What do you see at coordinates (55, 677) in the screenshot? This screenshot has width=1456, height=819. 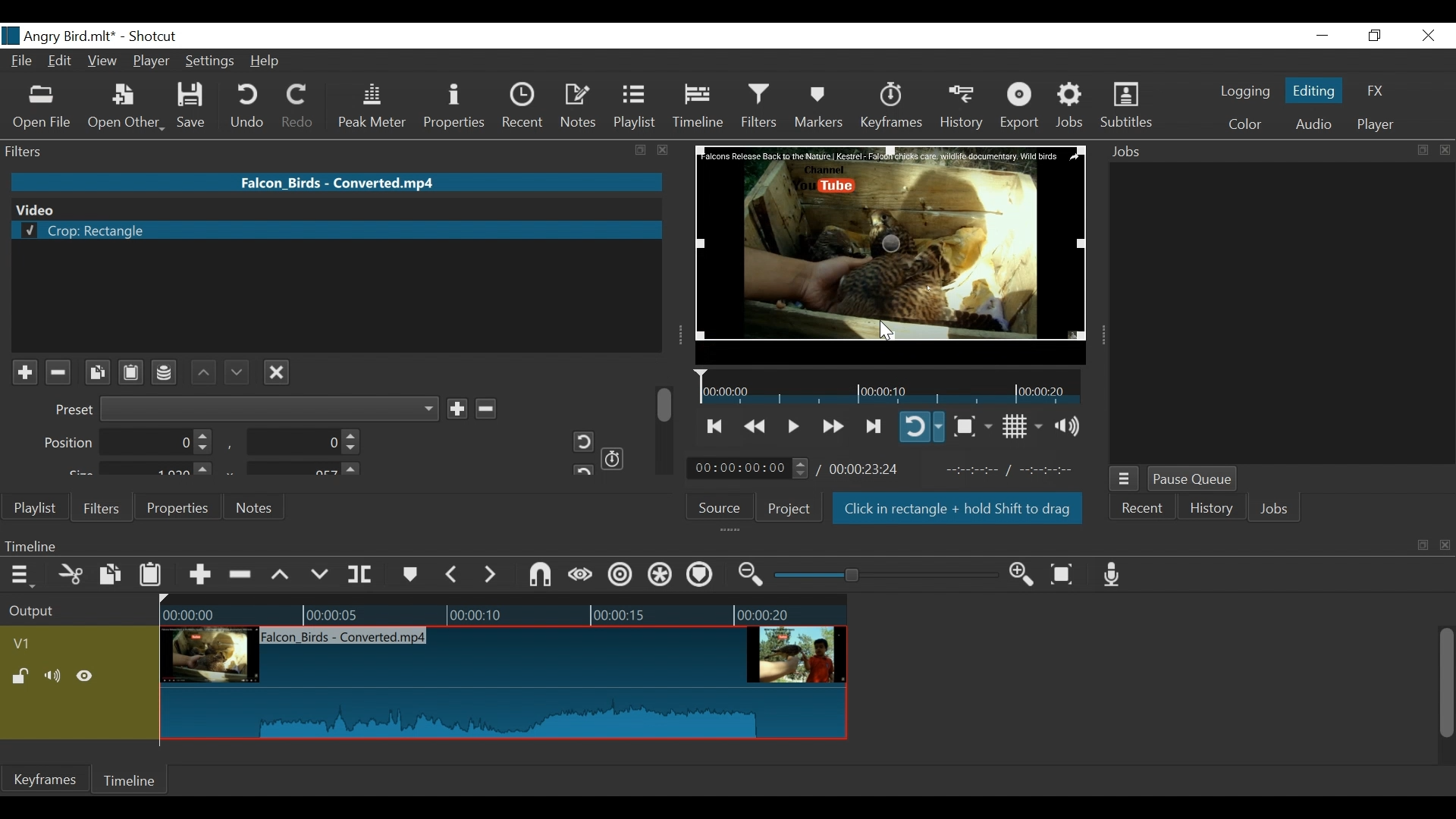 I see `Mute` at bounding box center [55, 677].